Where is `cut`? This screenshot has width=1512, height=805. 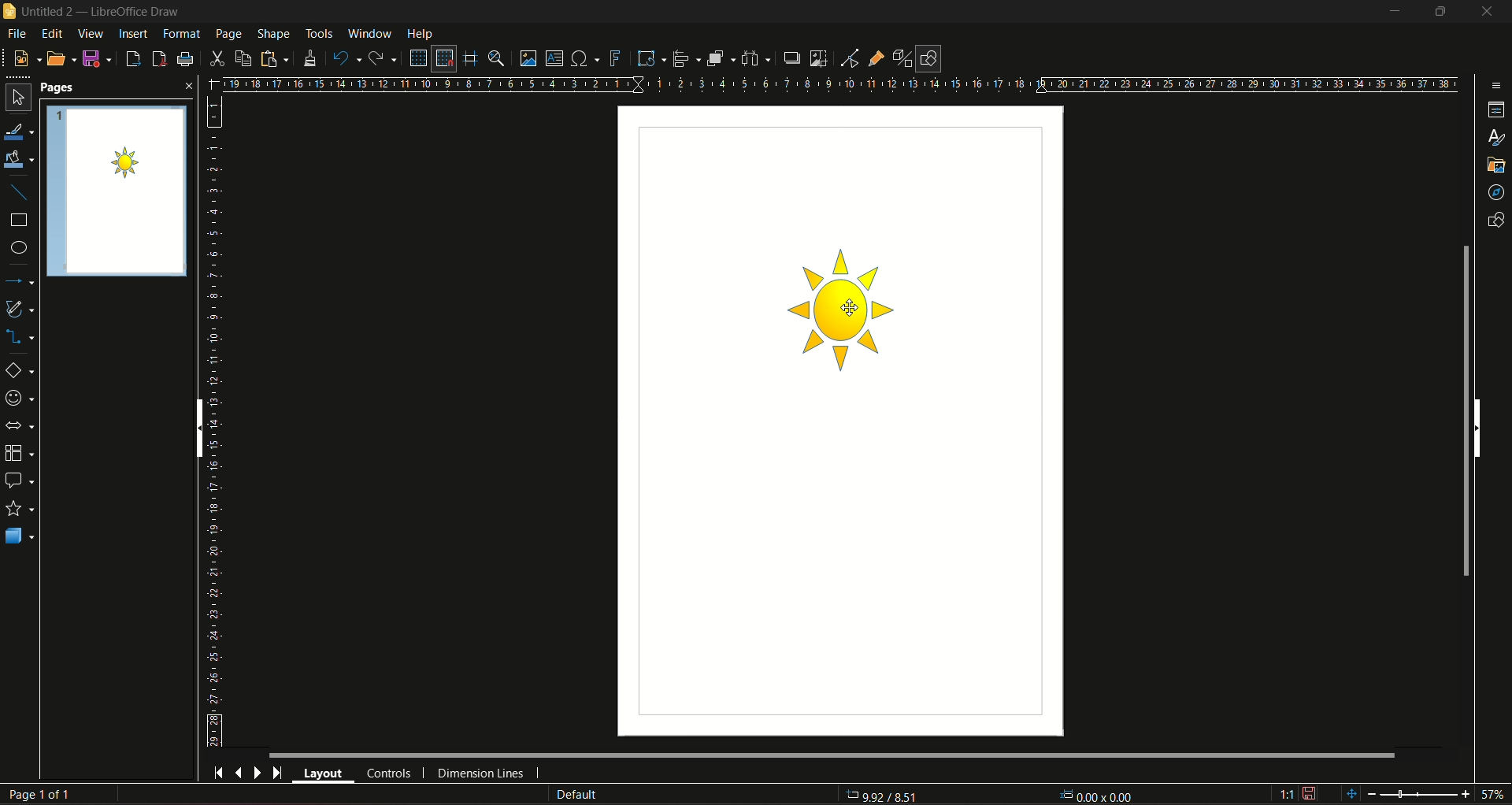
cut is located at coordinates (219, 58).